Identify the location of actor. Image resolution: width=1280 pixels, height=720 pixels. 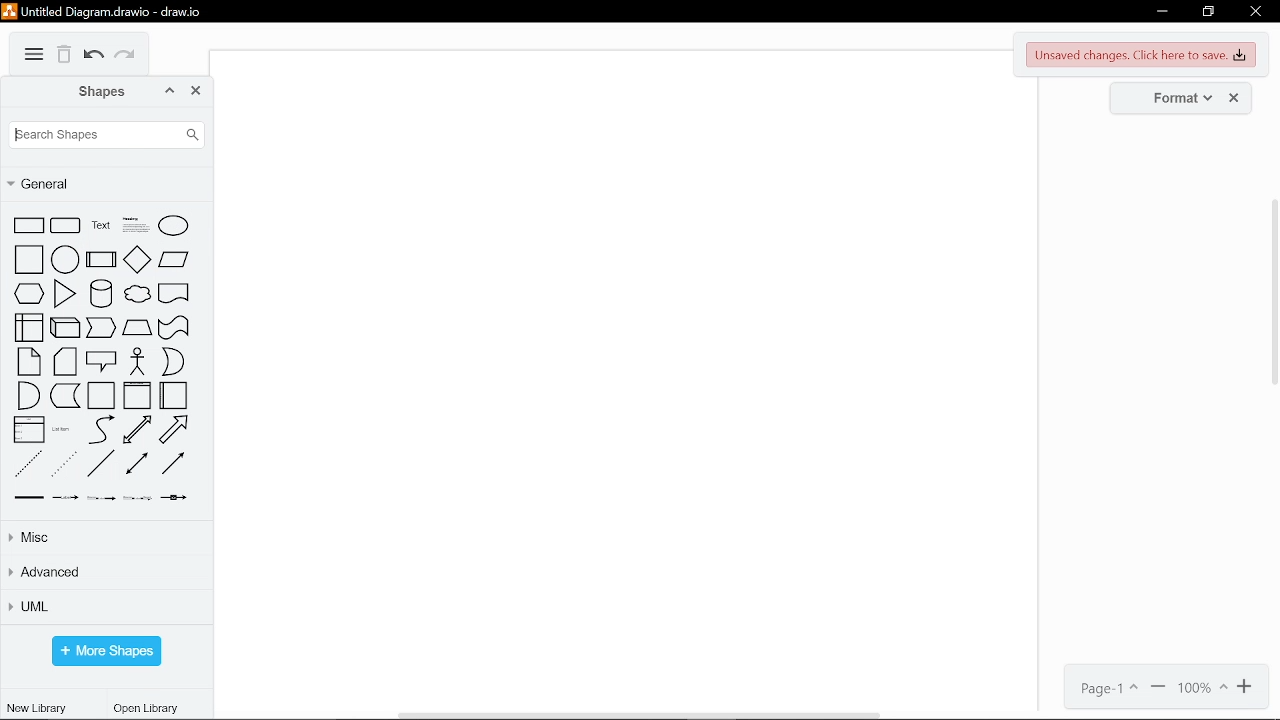
(138, 362).